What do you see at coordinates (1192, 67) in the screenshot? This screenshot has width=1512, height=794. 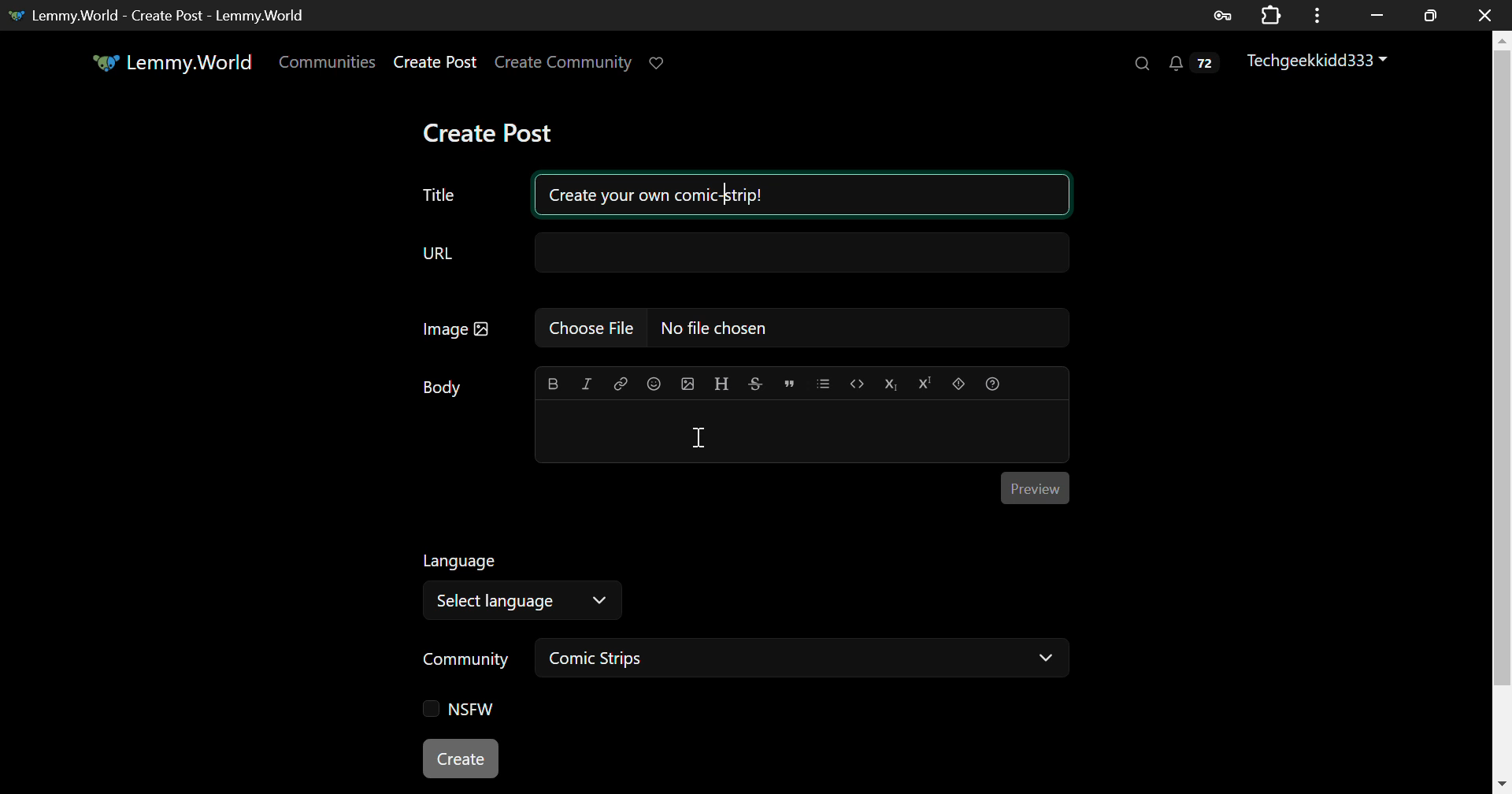 I see `Notifications` at bounding box center [1192, 67].